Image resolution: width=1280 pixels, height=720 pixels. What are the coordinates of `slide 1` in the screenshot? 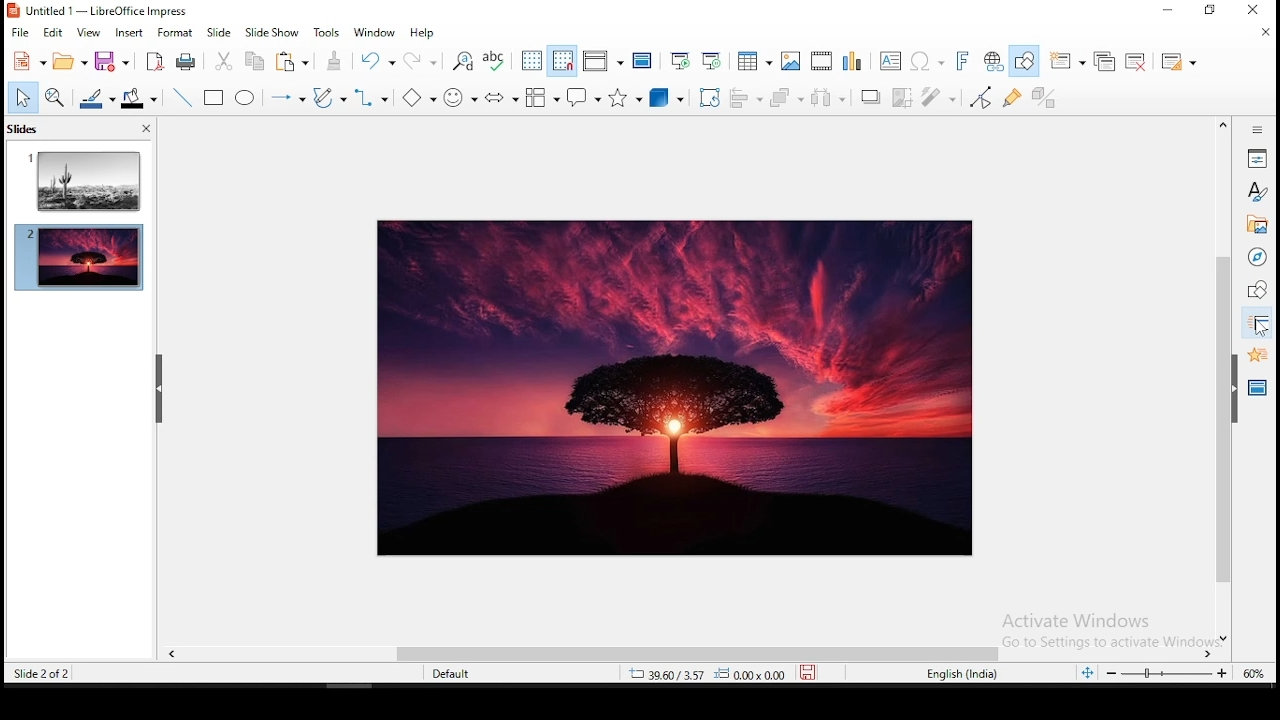 It's located at (81, 182).